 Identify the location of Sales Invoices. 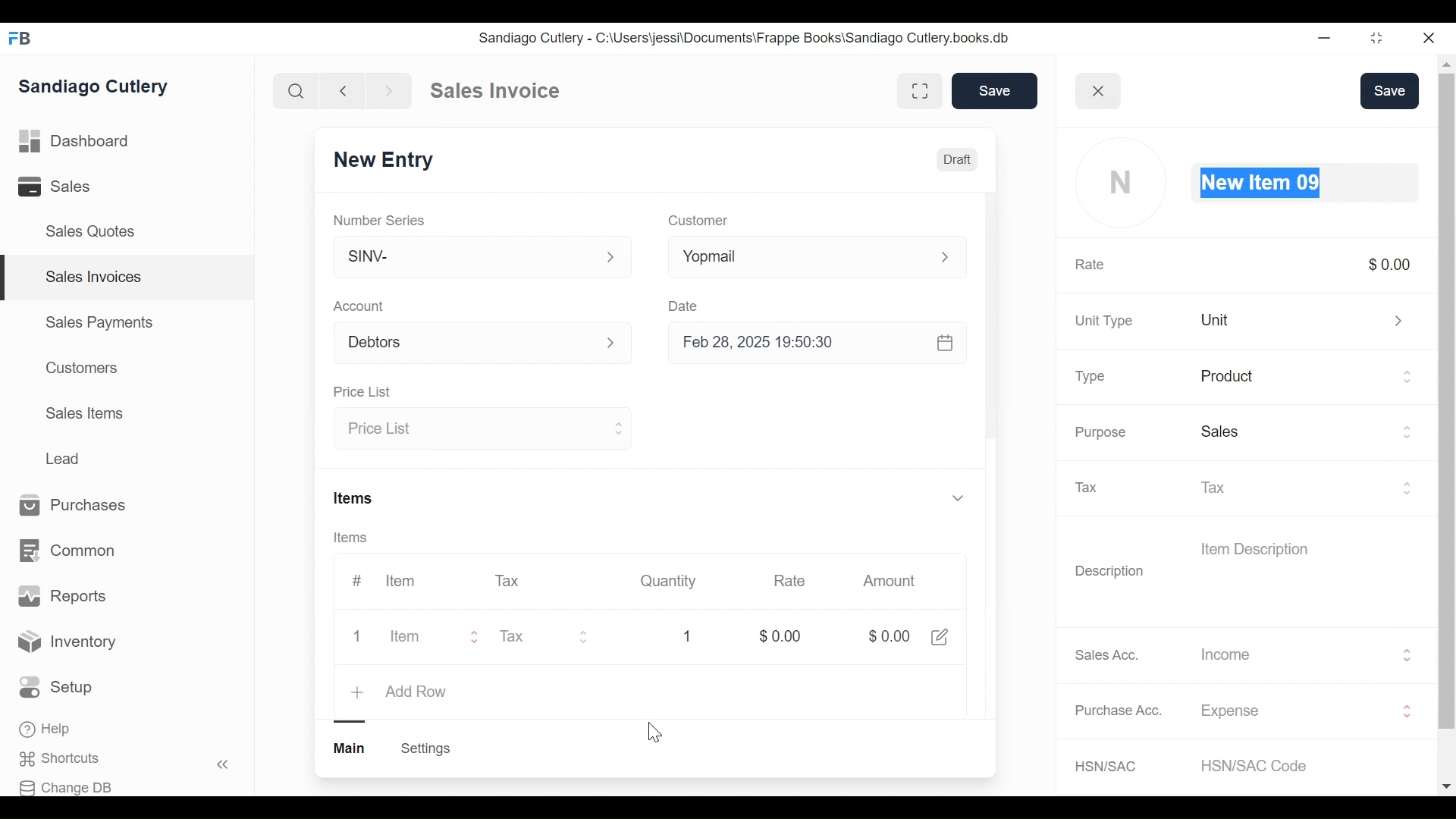
(94, 278).